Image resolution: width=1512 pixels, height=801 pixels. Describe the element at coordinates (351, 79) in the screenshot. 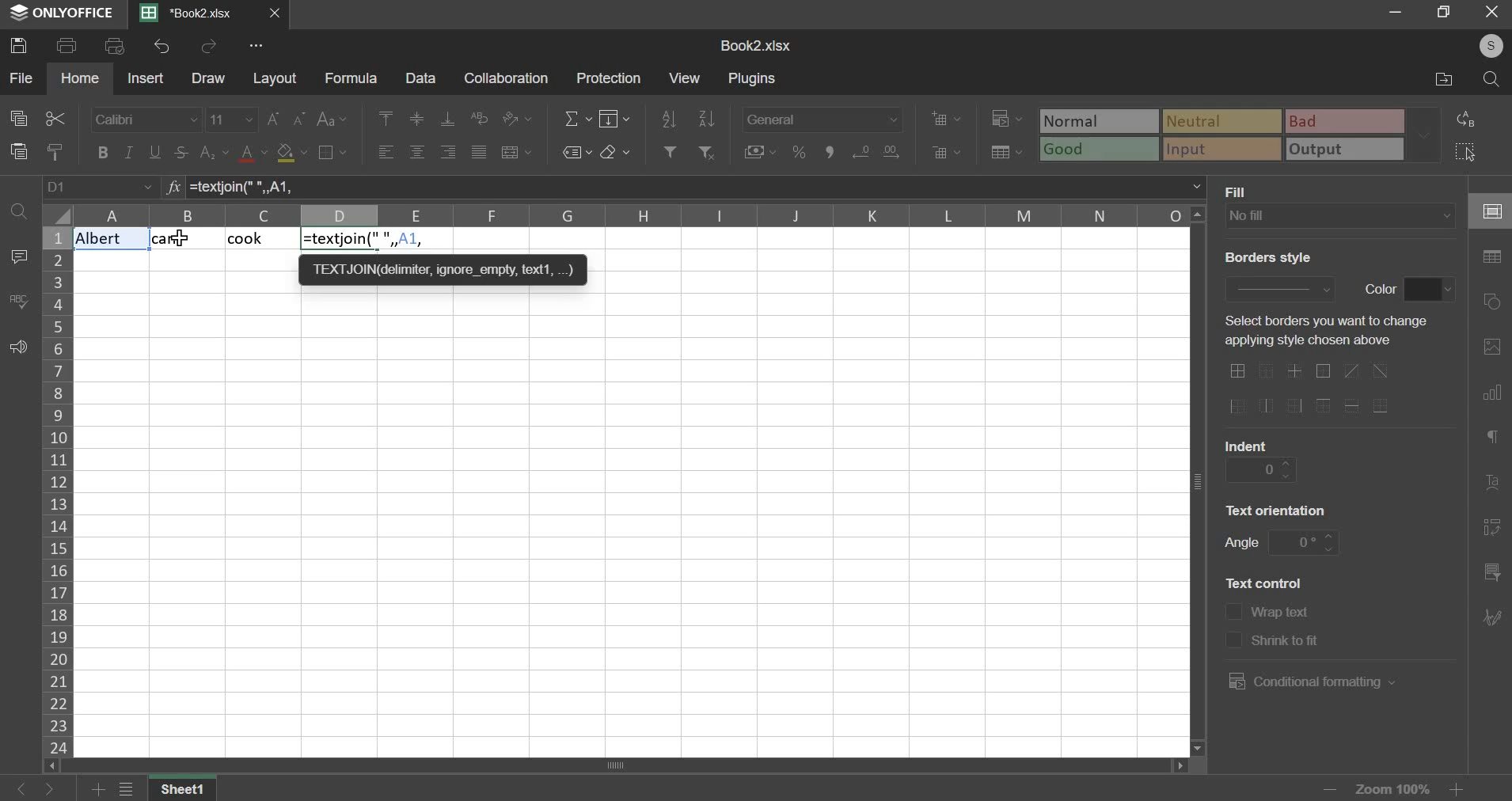

I see `formula` at that location.